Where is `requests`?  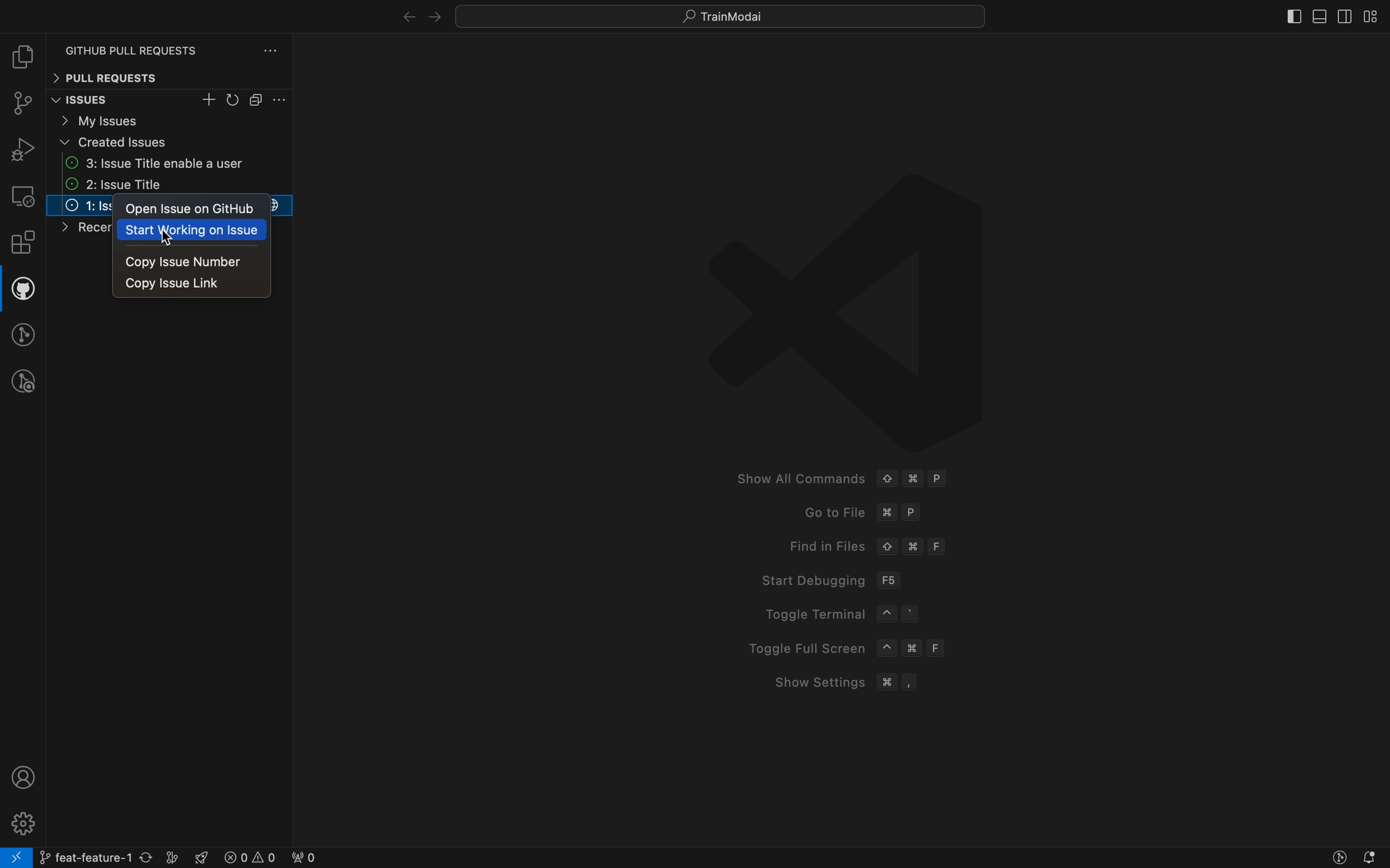
requests is located at coordinates (174, 44).